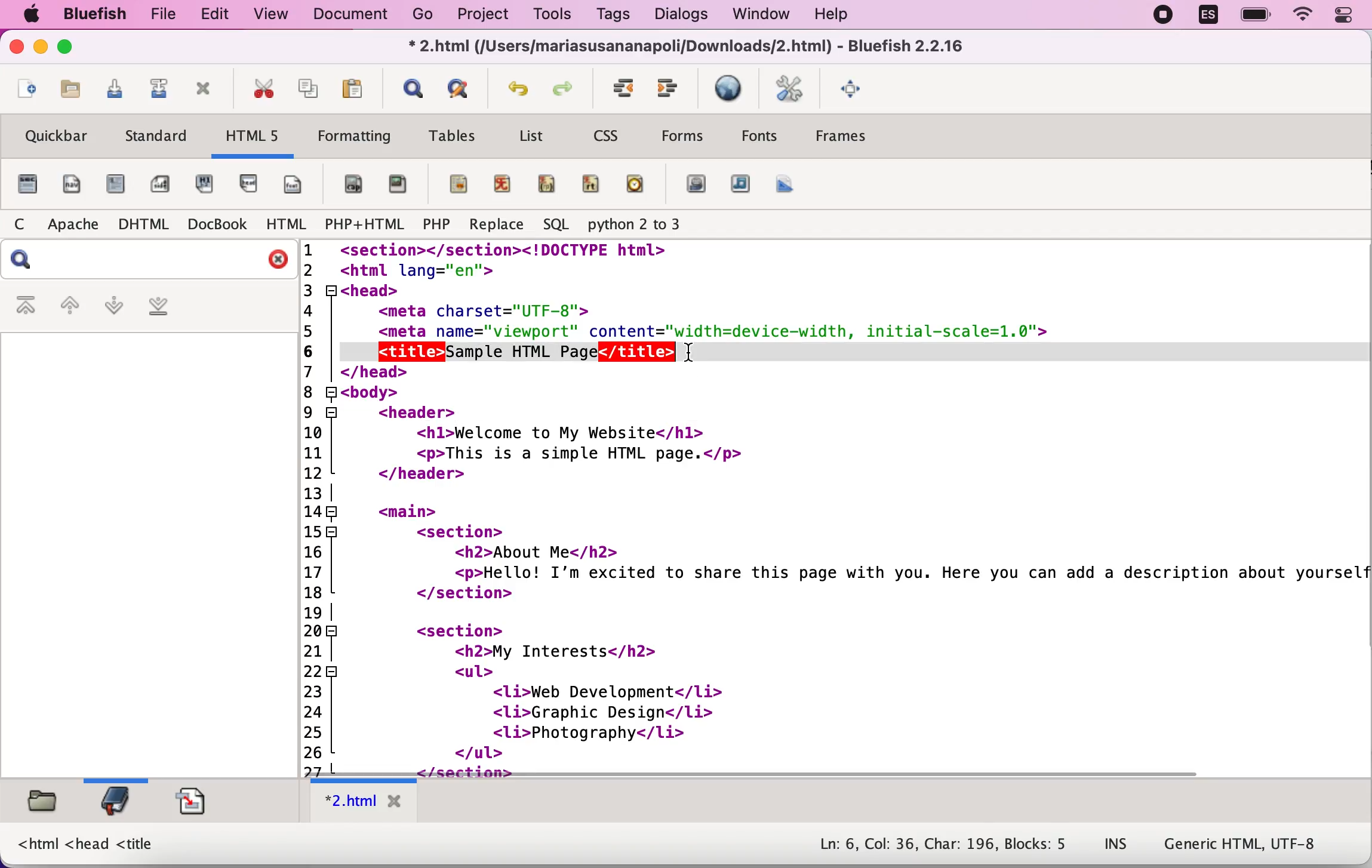  Describe the element at coordinates (521, 90) in the screenshot. I see `undo` at that location.